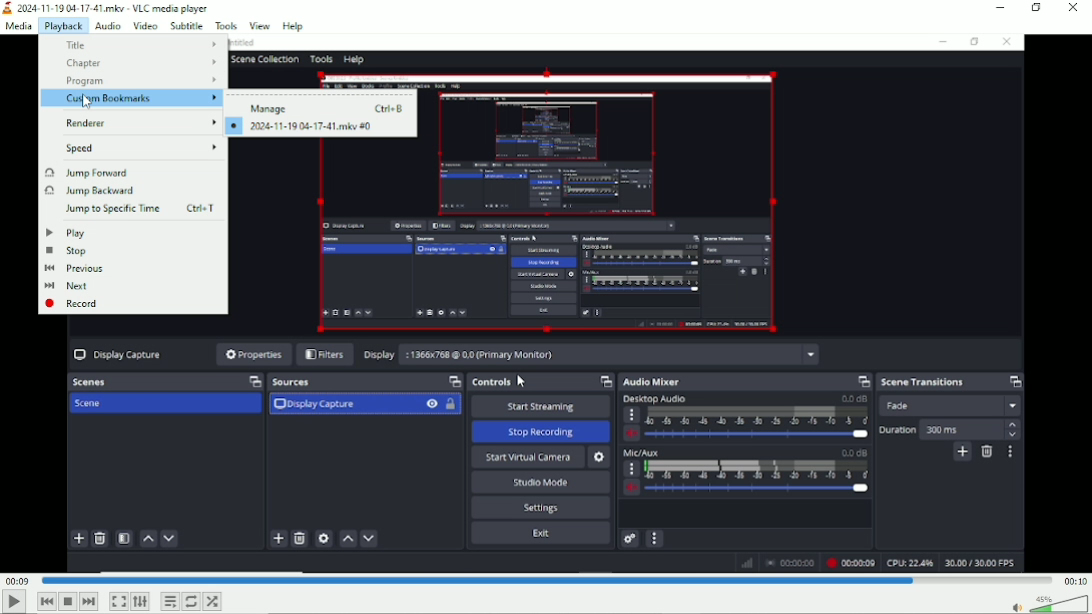  Describe the element at coordinates (68, 232) in the screenshot. I see `Play` at that location.